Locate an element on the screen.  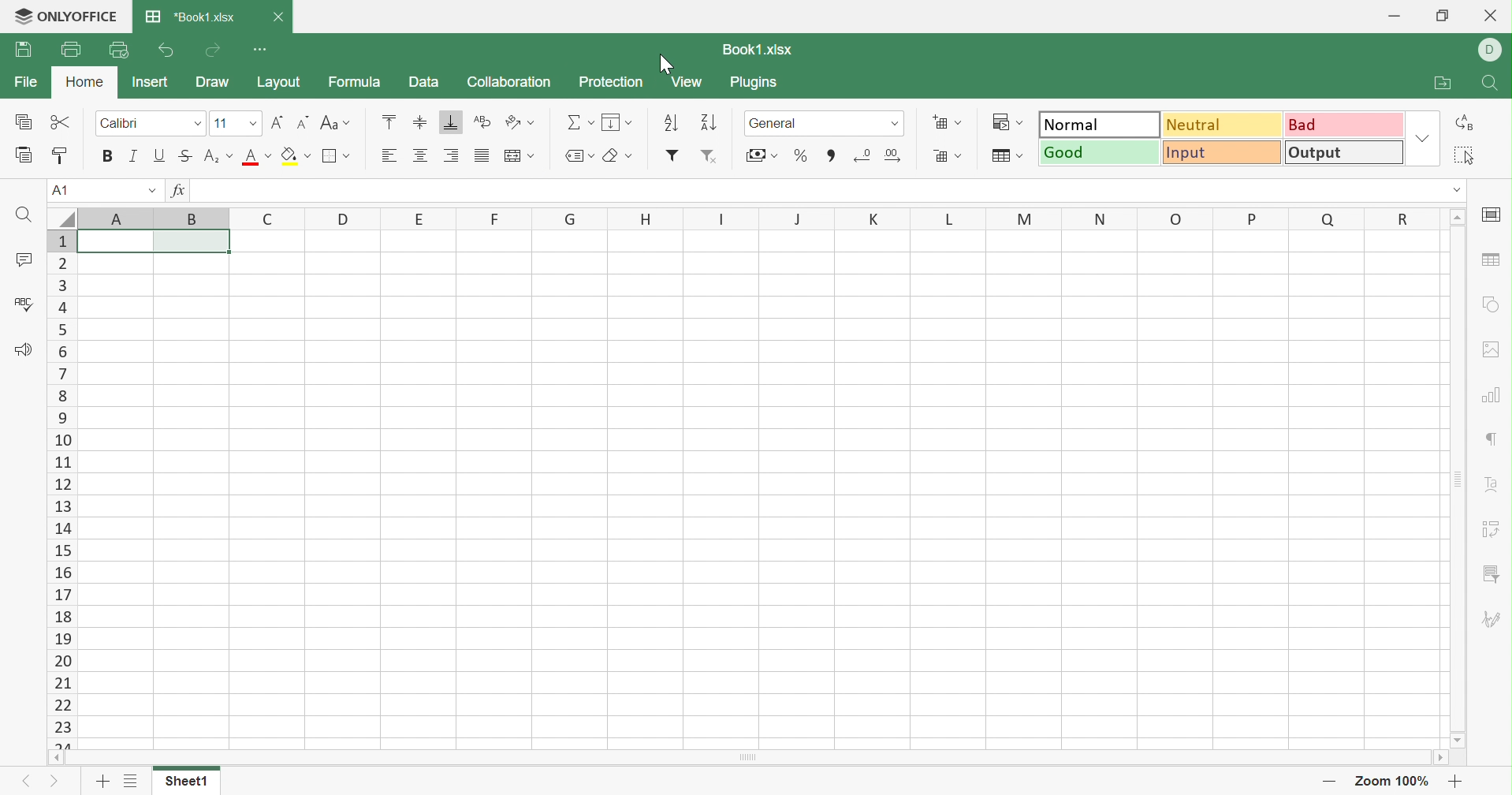
Increase Decimal is located at coordinates (892, 155).